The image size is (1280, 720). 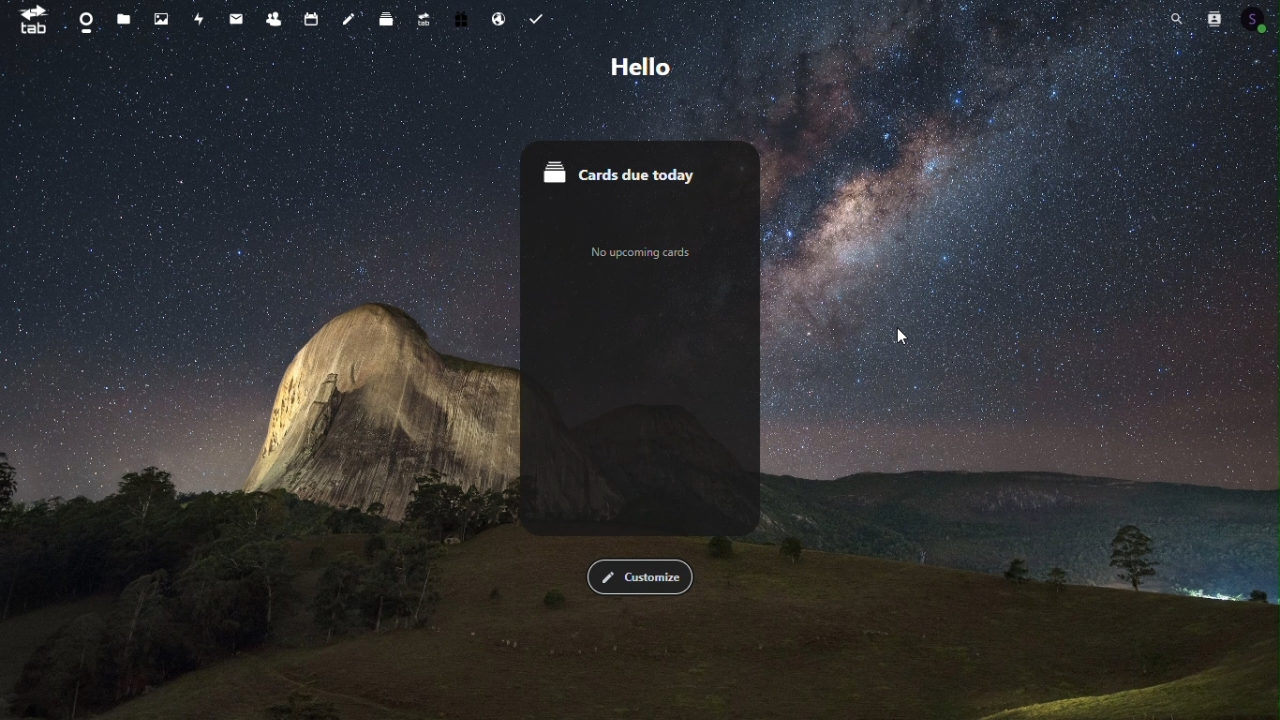 I want to click on mail, so click(x=235, y=18).